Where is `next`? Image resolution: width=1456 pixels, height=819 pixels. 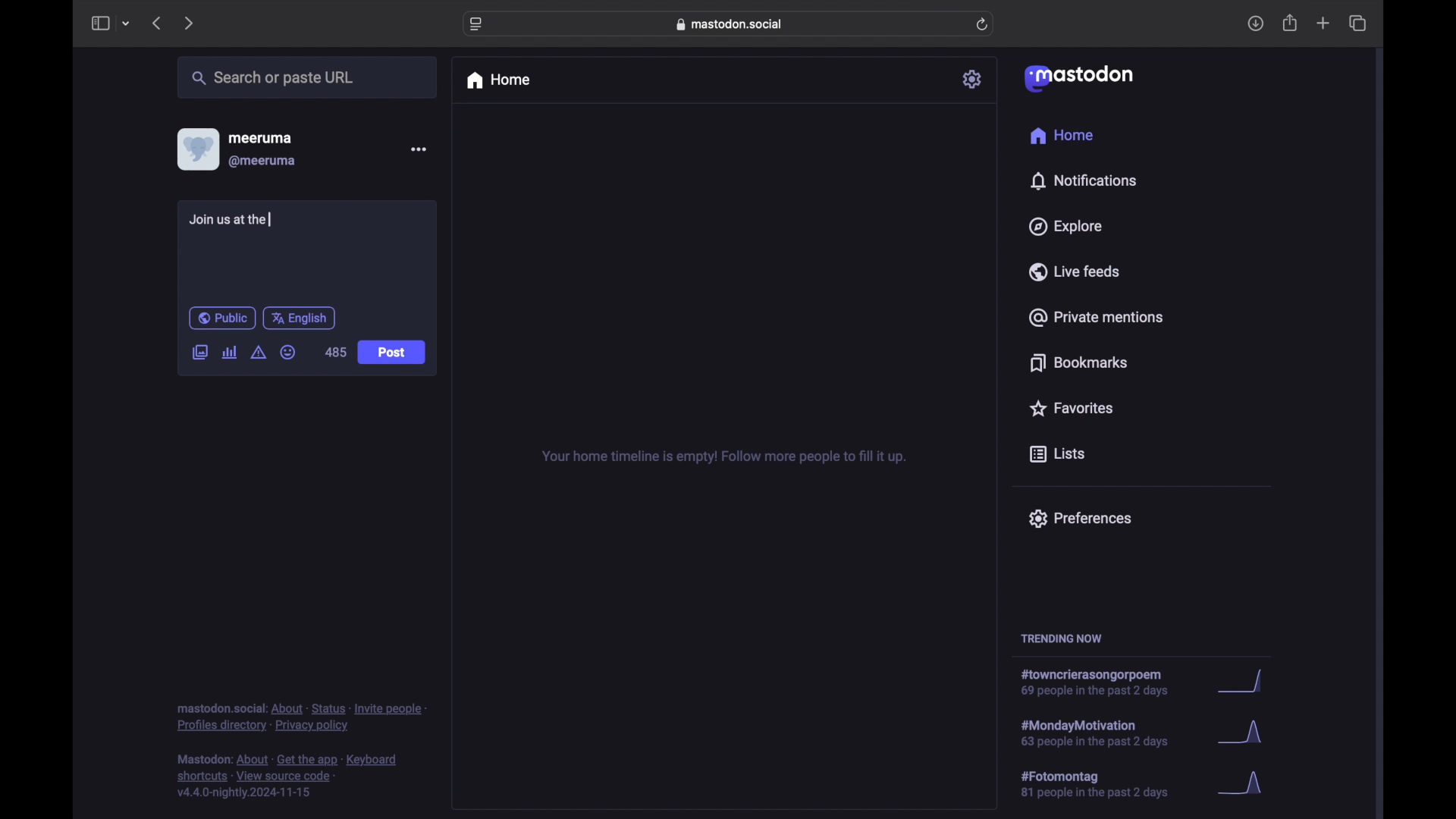 next is located at coordinates (190, 23).